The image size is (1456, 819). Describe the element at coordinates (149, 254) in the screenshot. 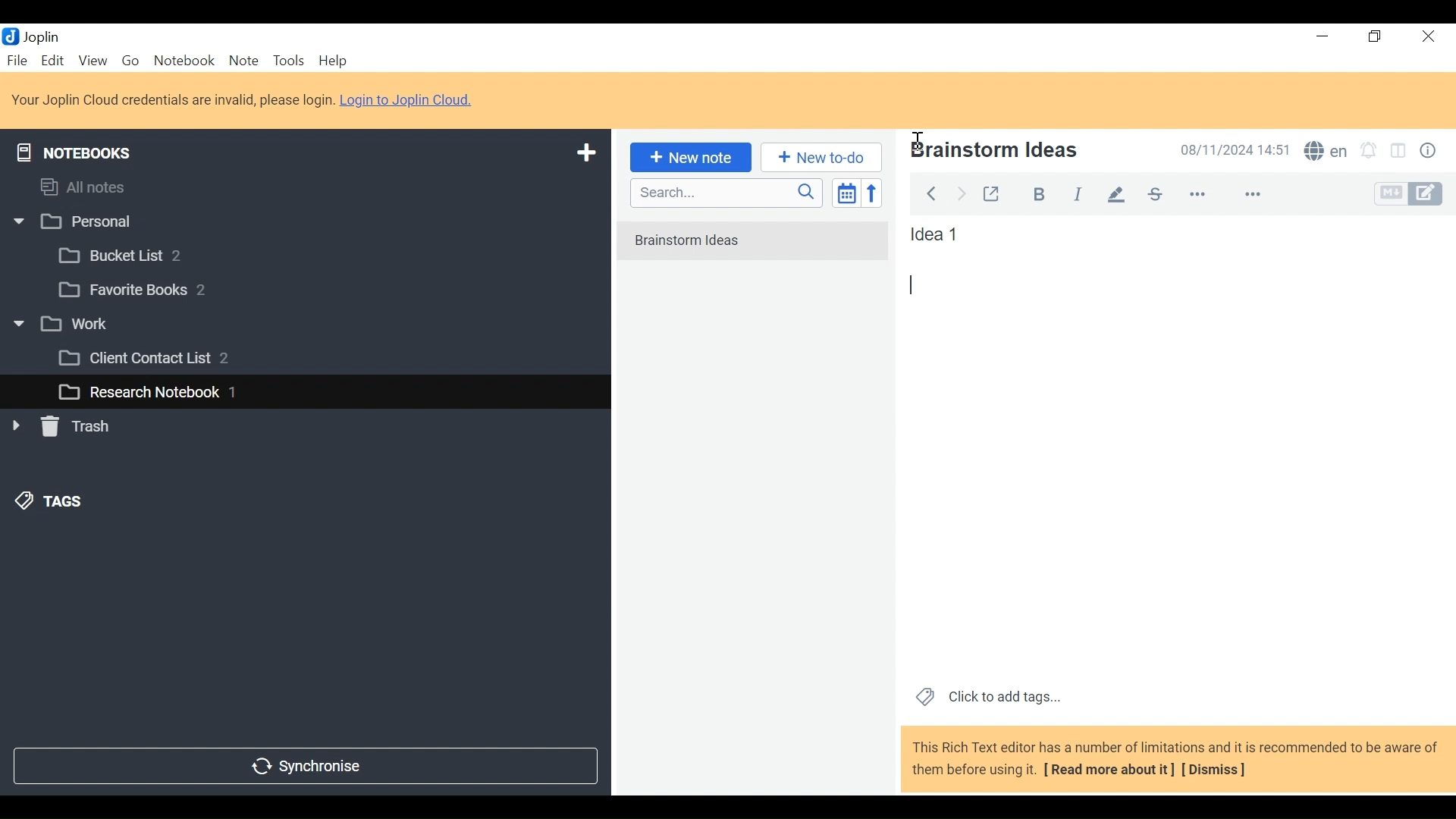

I see `[3 Bucket List 2` at that location.